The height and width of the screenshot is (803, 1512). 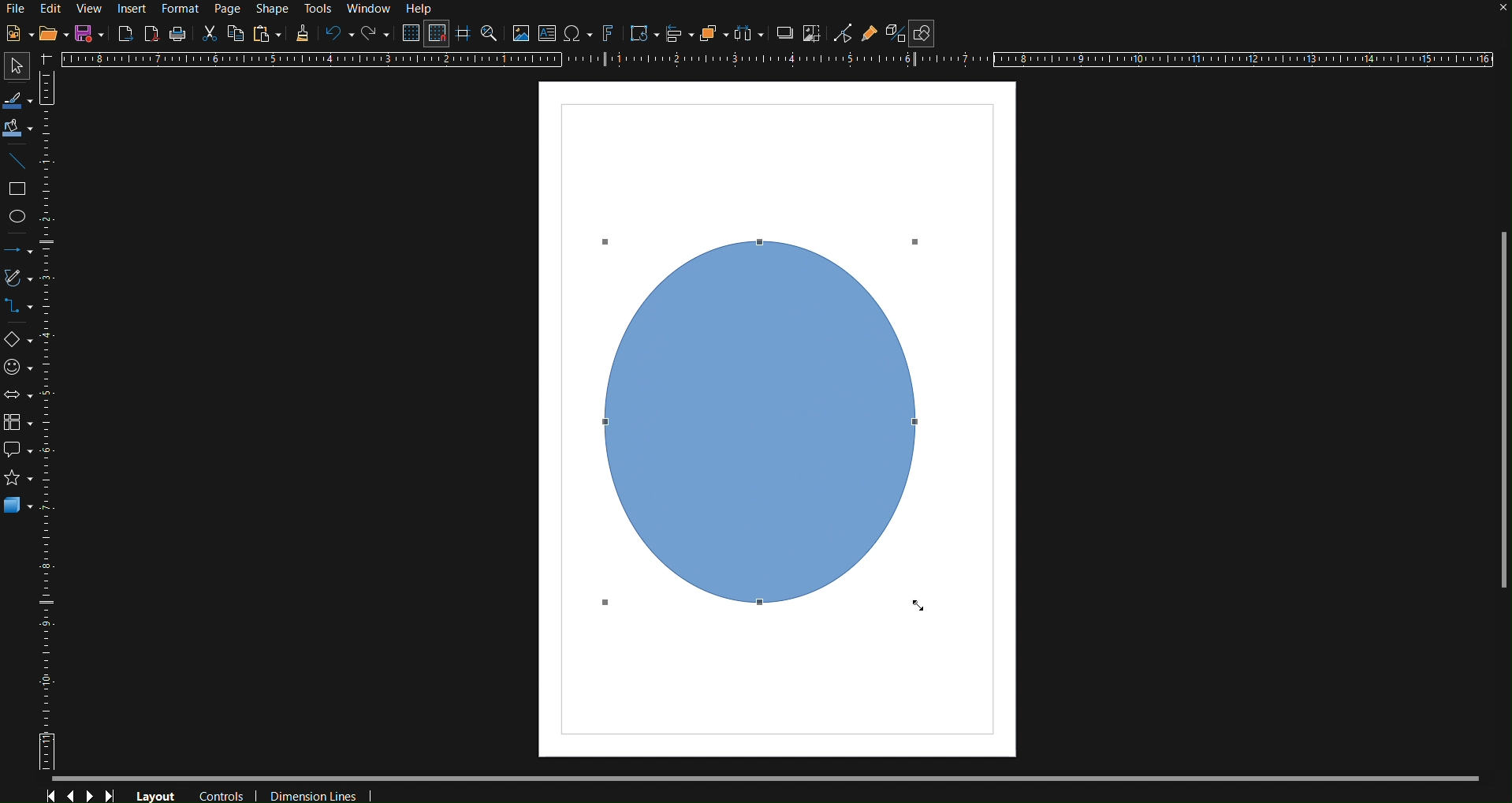 What do you see at coordinates (82, 792) in the screenshot?
I see `Controls` at bounding box center [82, 792].